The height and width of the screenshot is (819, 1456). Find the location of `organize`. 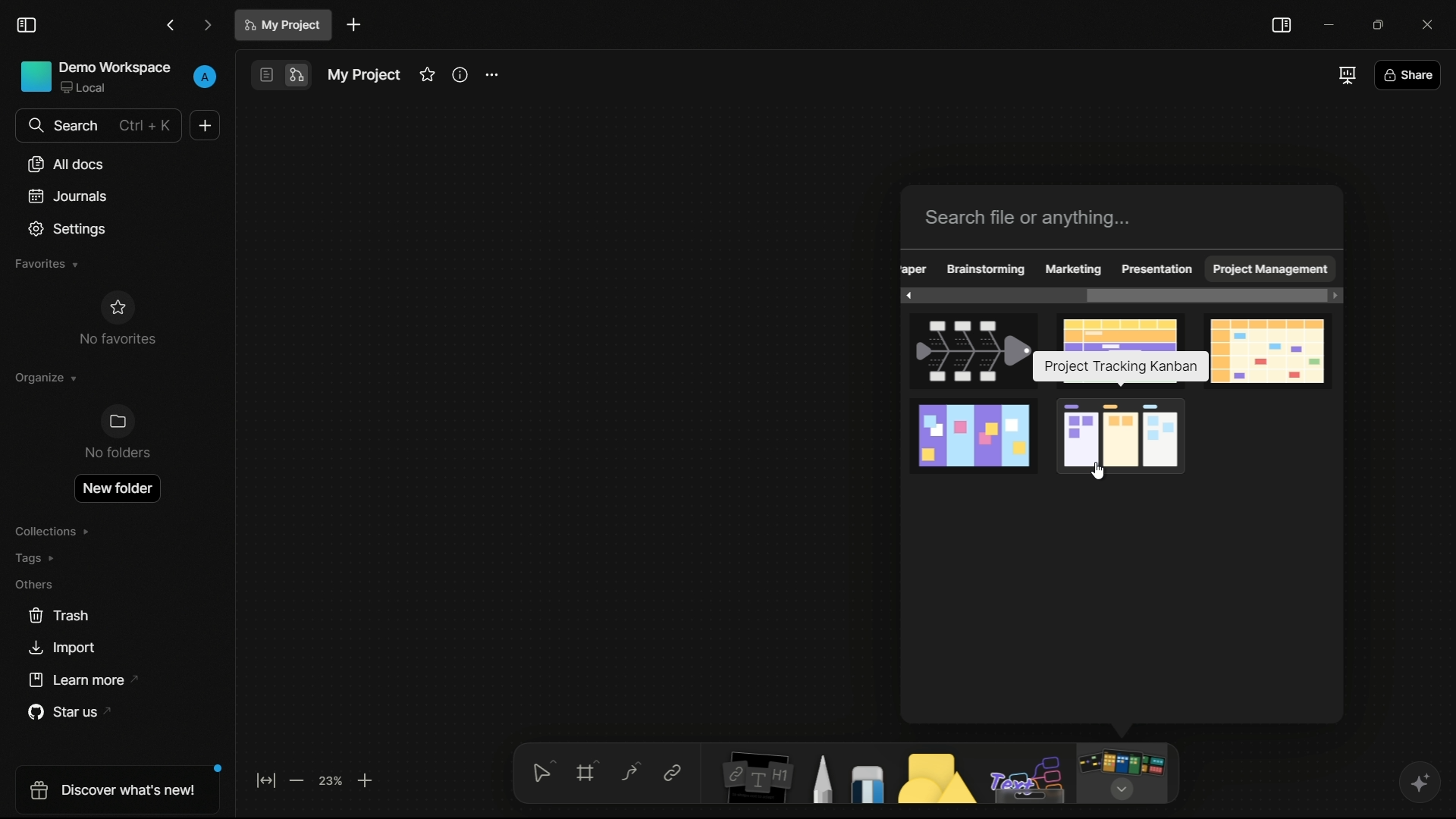

organize is located at coordinates (44, 378).